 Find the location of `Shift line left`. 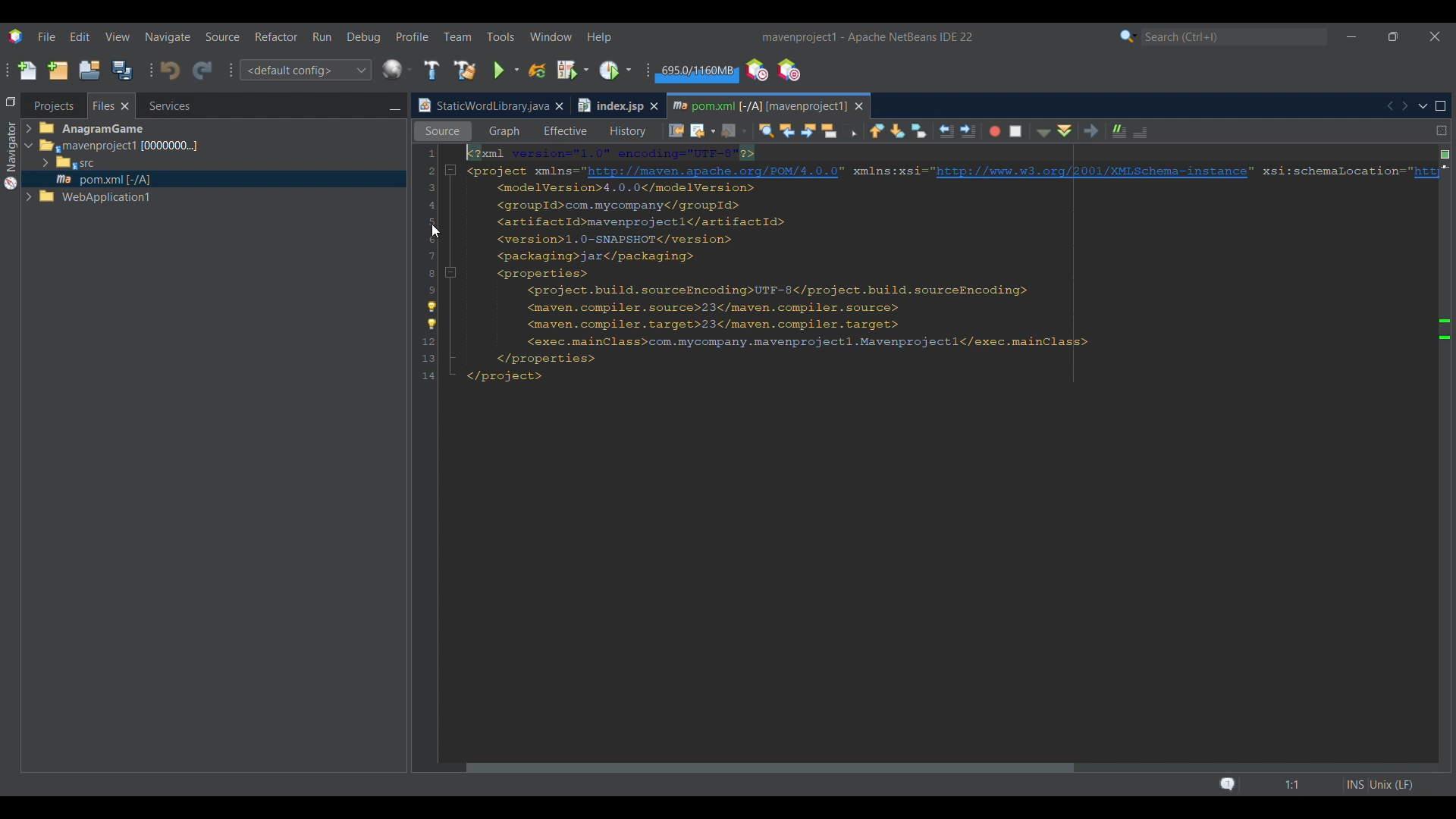

Shift line left is located at coordinates (944, 132).